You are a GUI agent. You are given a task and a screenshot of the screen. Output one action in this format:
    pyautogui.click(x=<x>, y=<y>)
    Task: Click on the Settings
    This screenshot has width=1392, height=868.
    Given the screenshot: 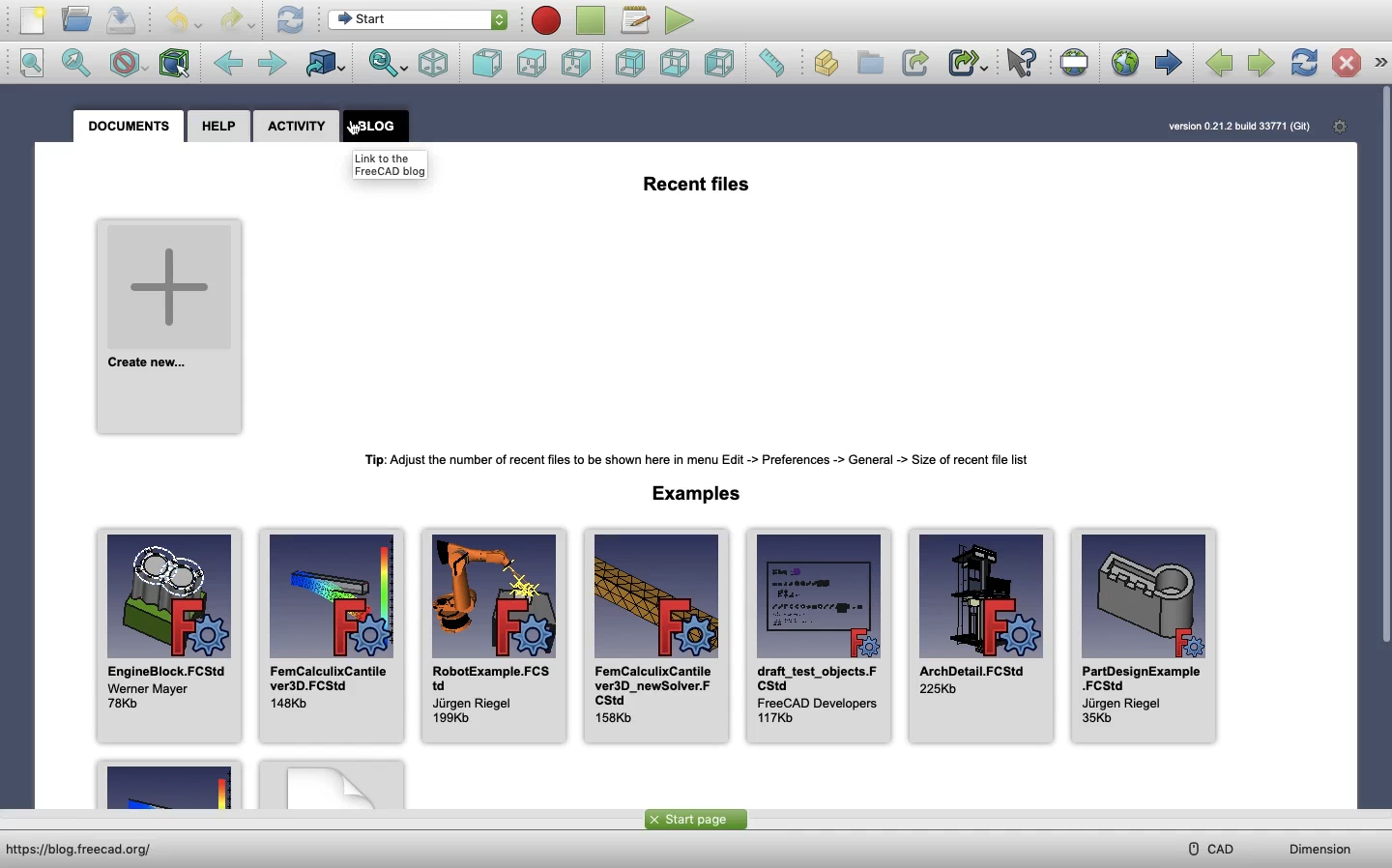 What is the action you would take?
    pyautogui.click(x=1341, y=129)
    